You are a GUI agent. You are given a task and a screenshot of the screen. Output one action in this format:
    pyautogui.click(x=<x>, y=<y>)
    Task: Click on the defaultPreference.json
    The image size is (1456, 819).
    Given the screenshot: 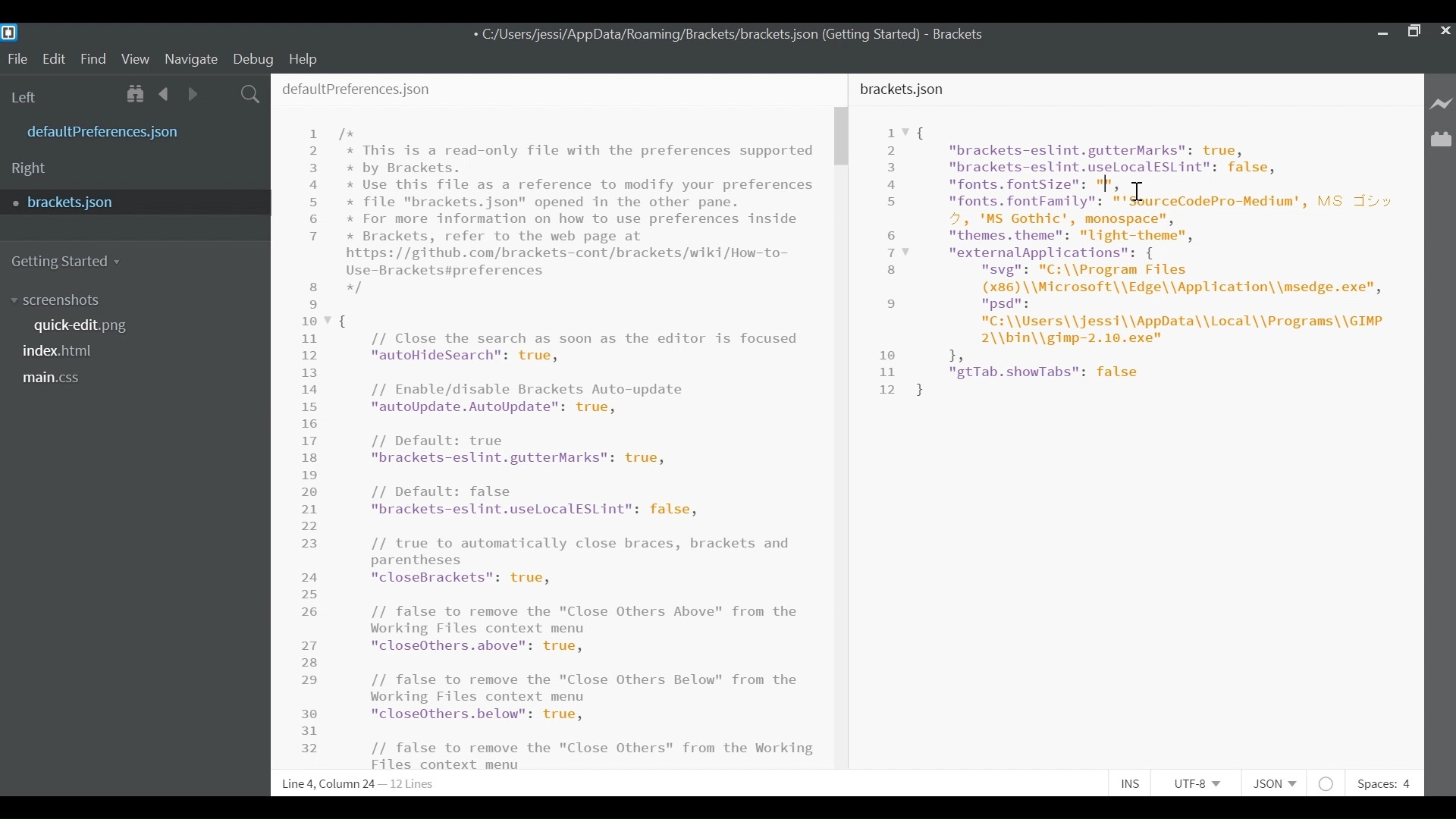 What is the action you would take?
    pyautogui.click(x=140, y=130)
    